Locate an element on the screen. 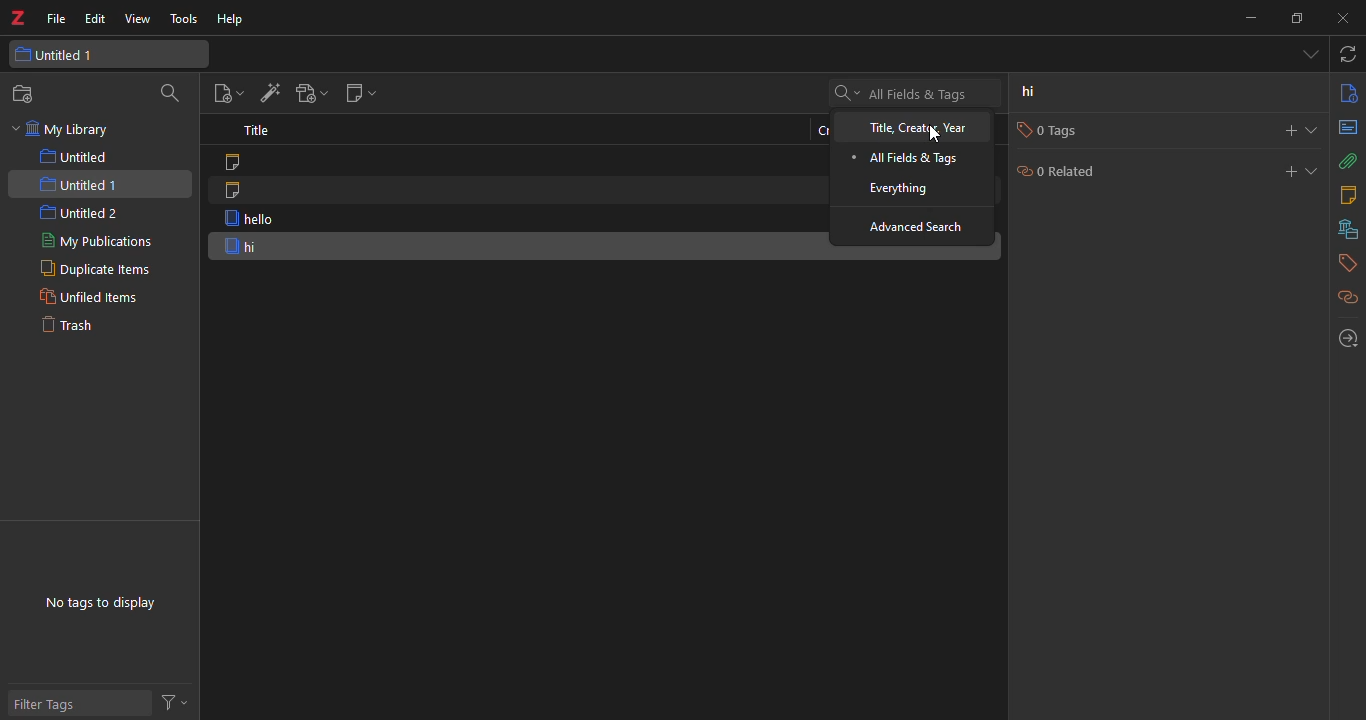 The width and height of the screenshot is (1366, 720). untitled 2 is located at coordinates (80, 212).